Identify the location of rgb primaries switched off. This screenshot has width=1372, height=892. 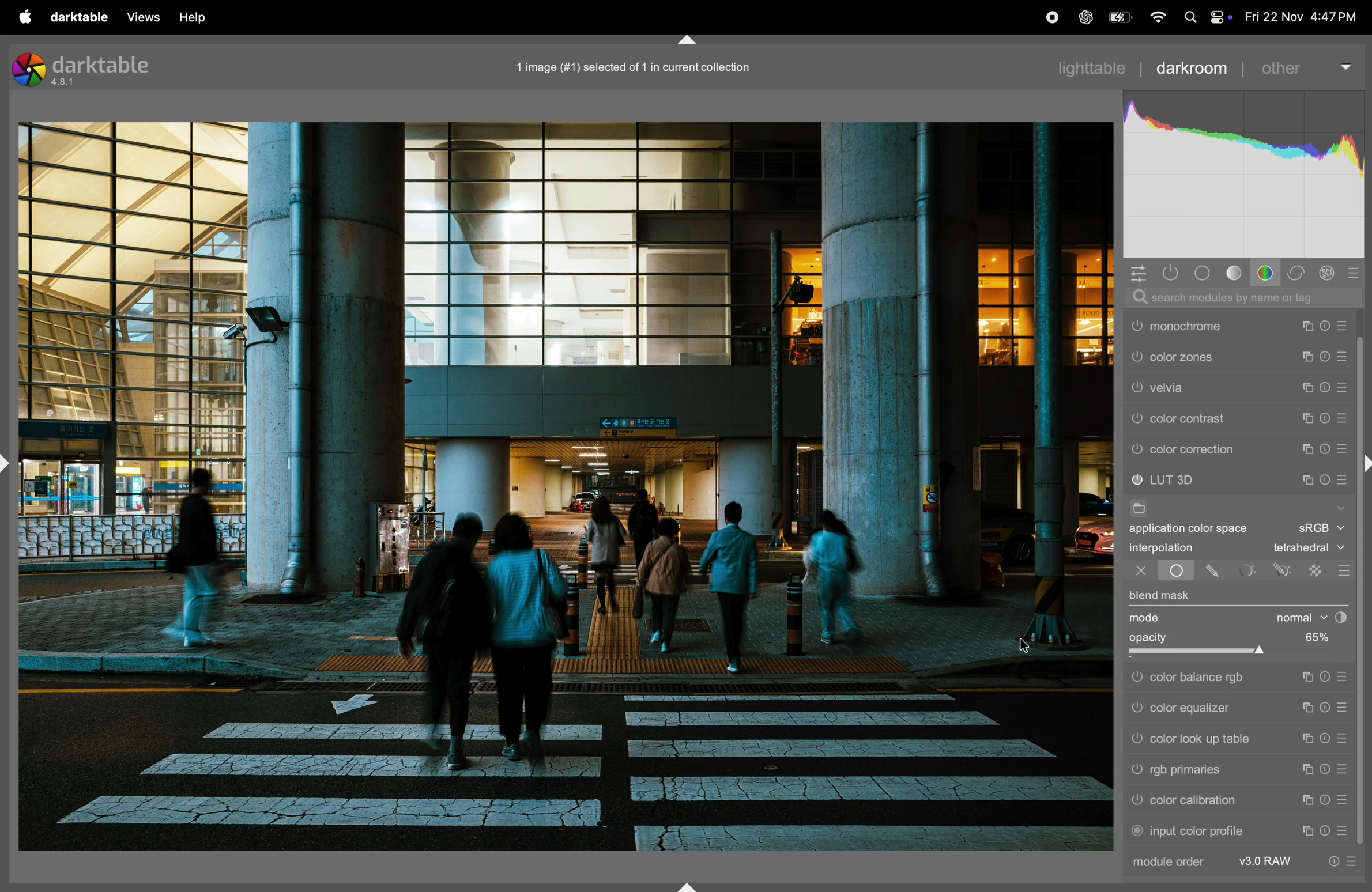
(1136, 770).